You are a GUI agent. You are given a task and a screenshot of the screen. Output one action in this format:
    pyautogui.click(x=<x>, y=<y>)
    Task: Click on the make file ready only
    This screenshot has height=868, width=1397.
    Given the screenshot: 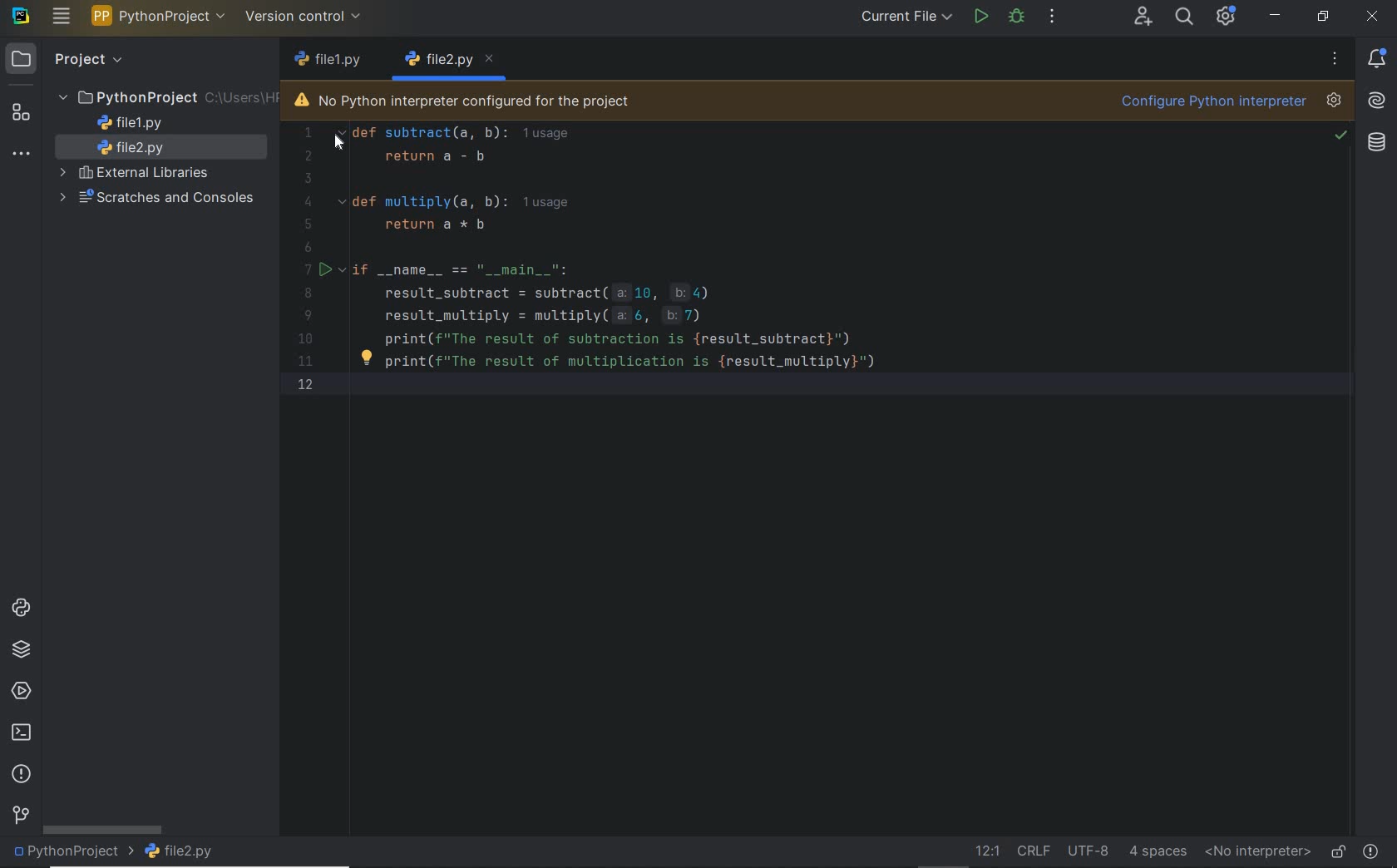 What is the action you would take?
    pyautogui.click(x=1335, y=850)
    